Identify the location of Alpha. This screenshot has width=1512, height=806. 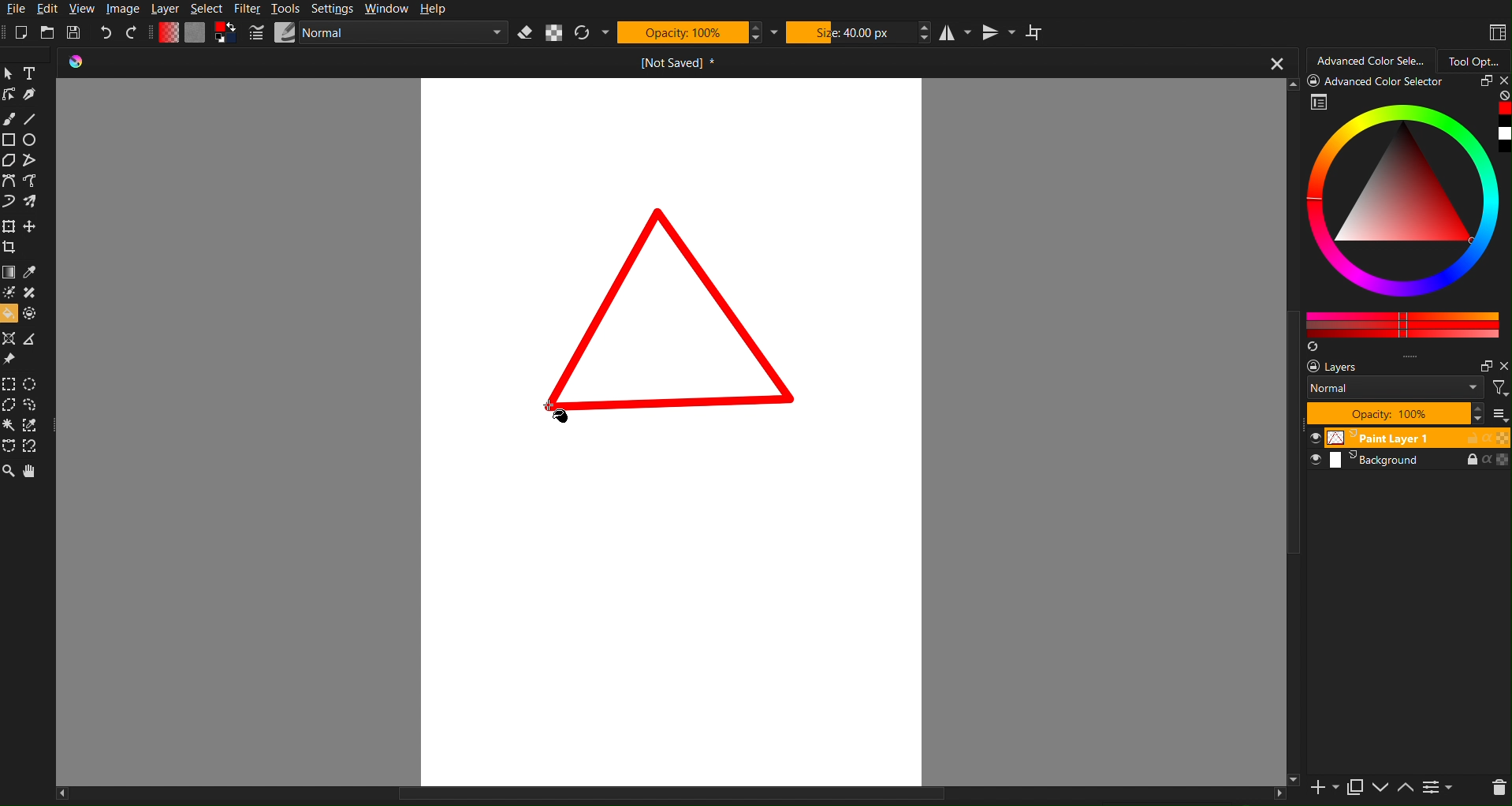
(553, 33).